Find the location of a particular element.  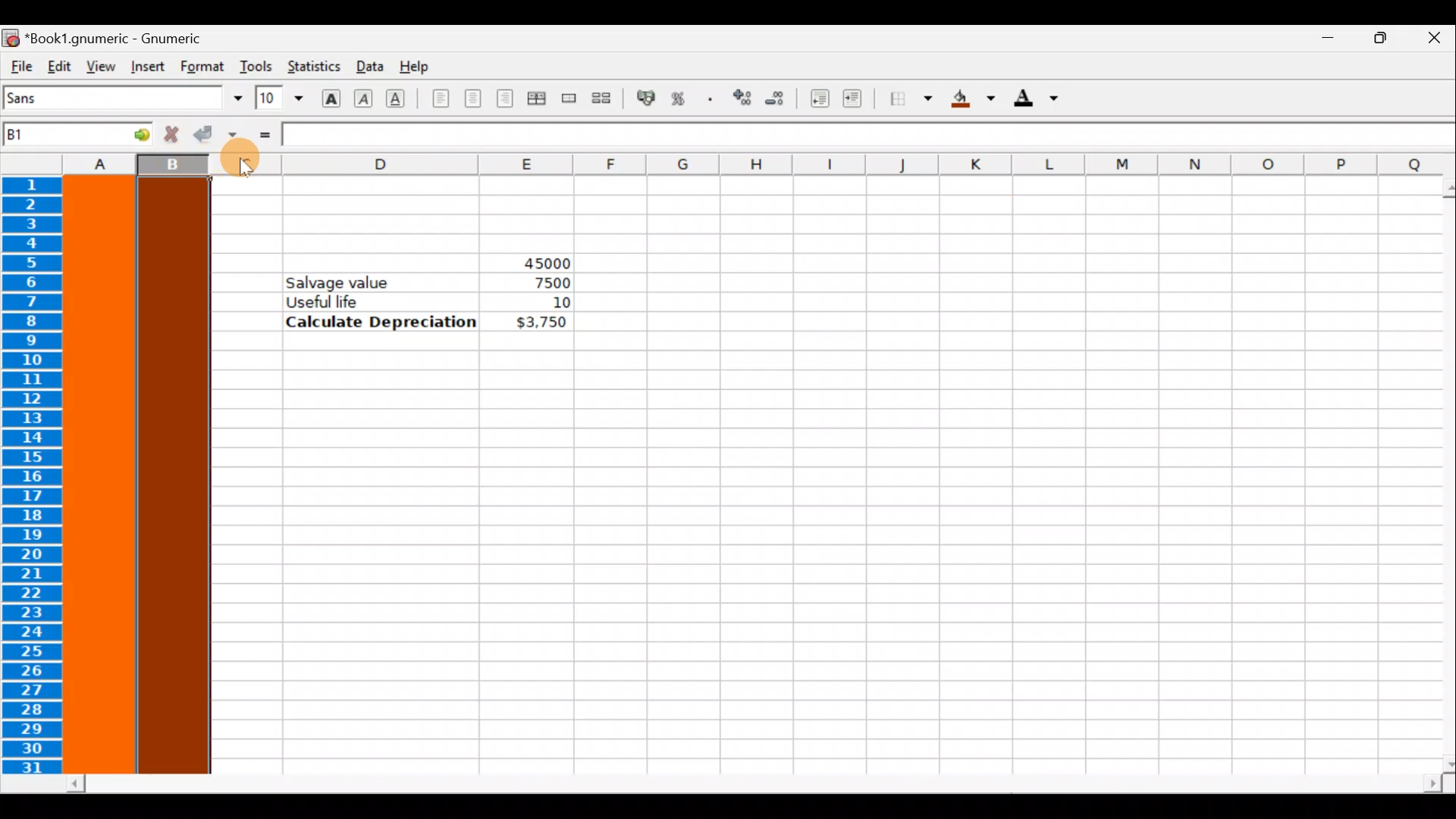

Format the selection as accounting is located at coordinates (647, 100).